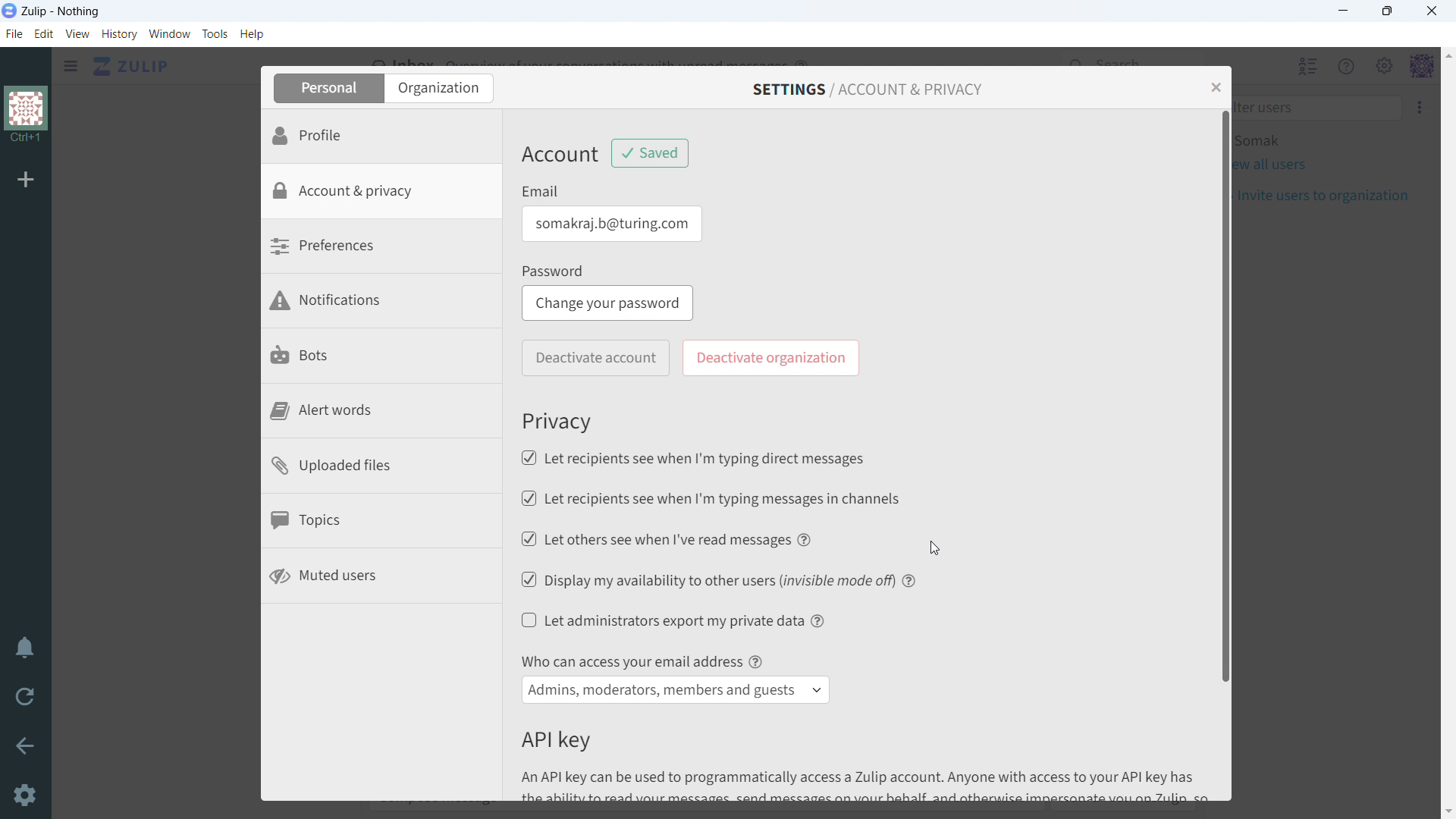  Describe the element at coordinates (120, 34) in the screenshot. I see `history` at that location.